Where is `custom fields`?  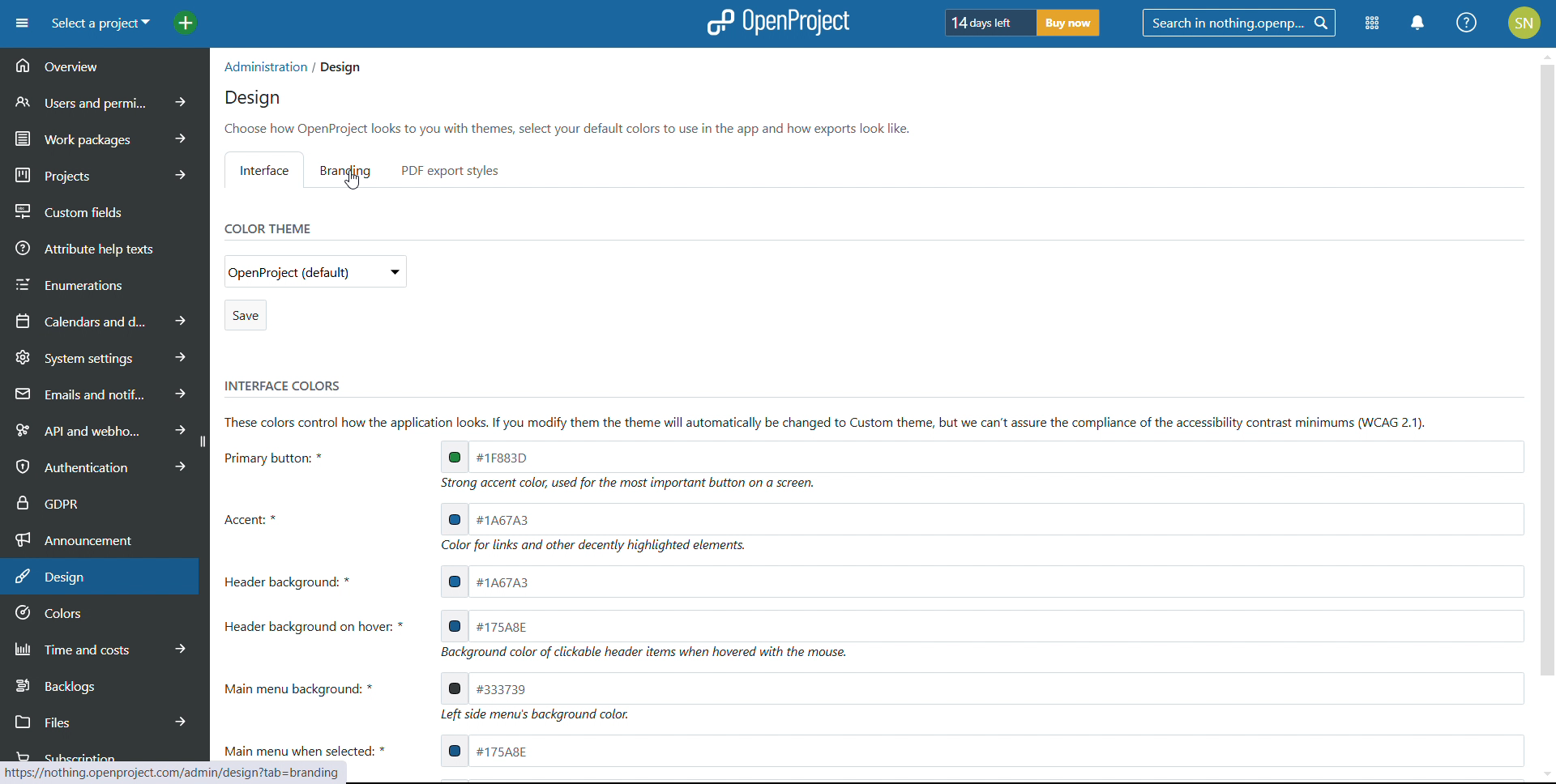 custom fields is located at coordinates (105, 207).